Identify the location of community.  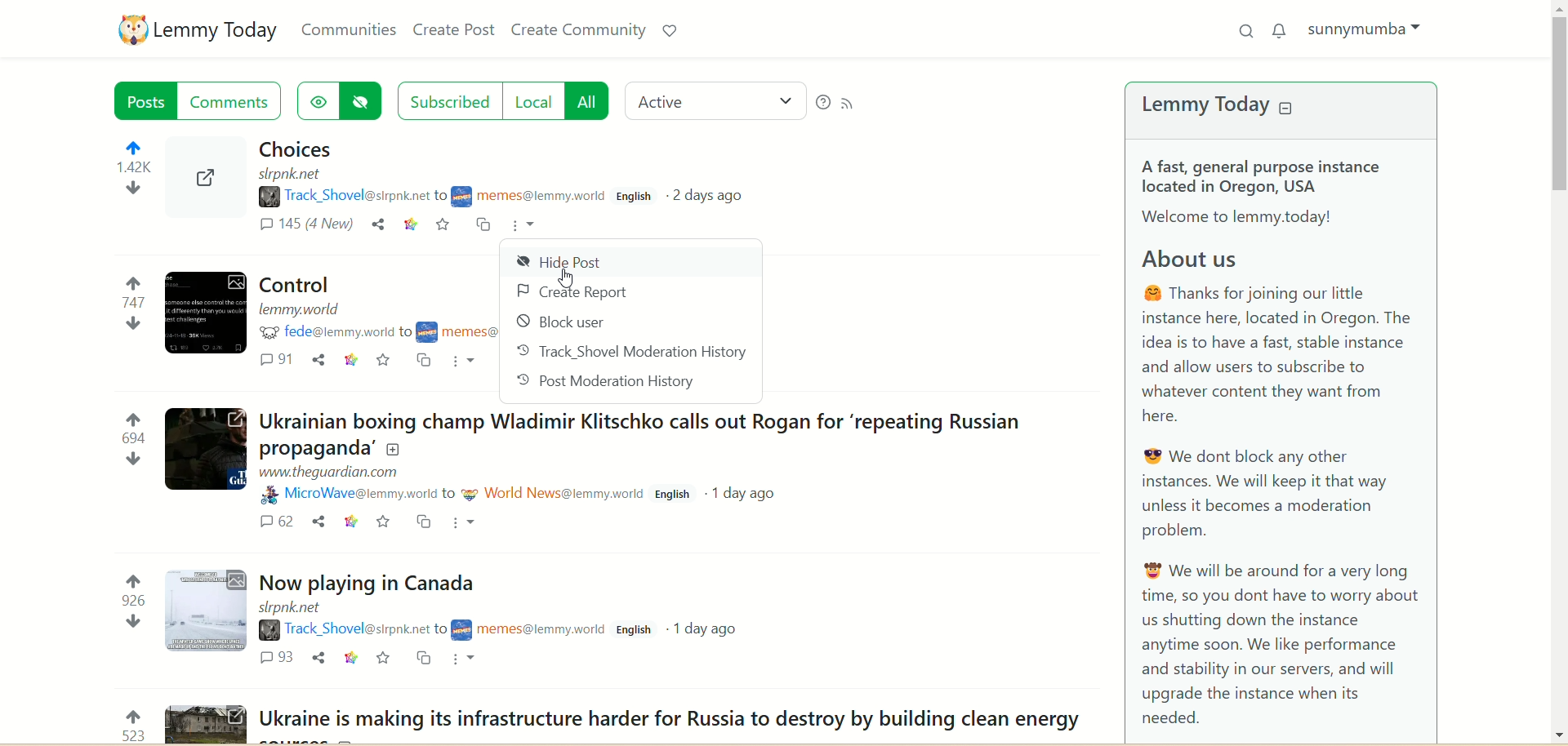
(531, 198).